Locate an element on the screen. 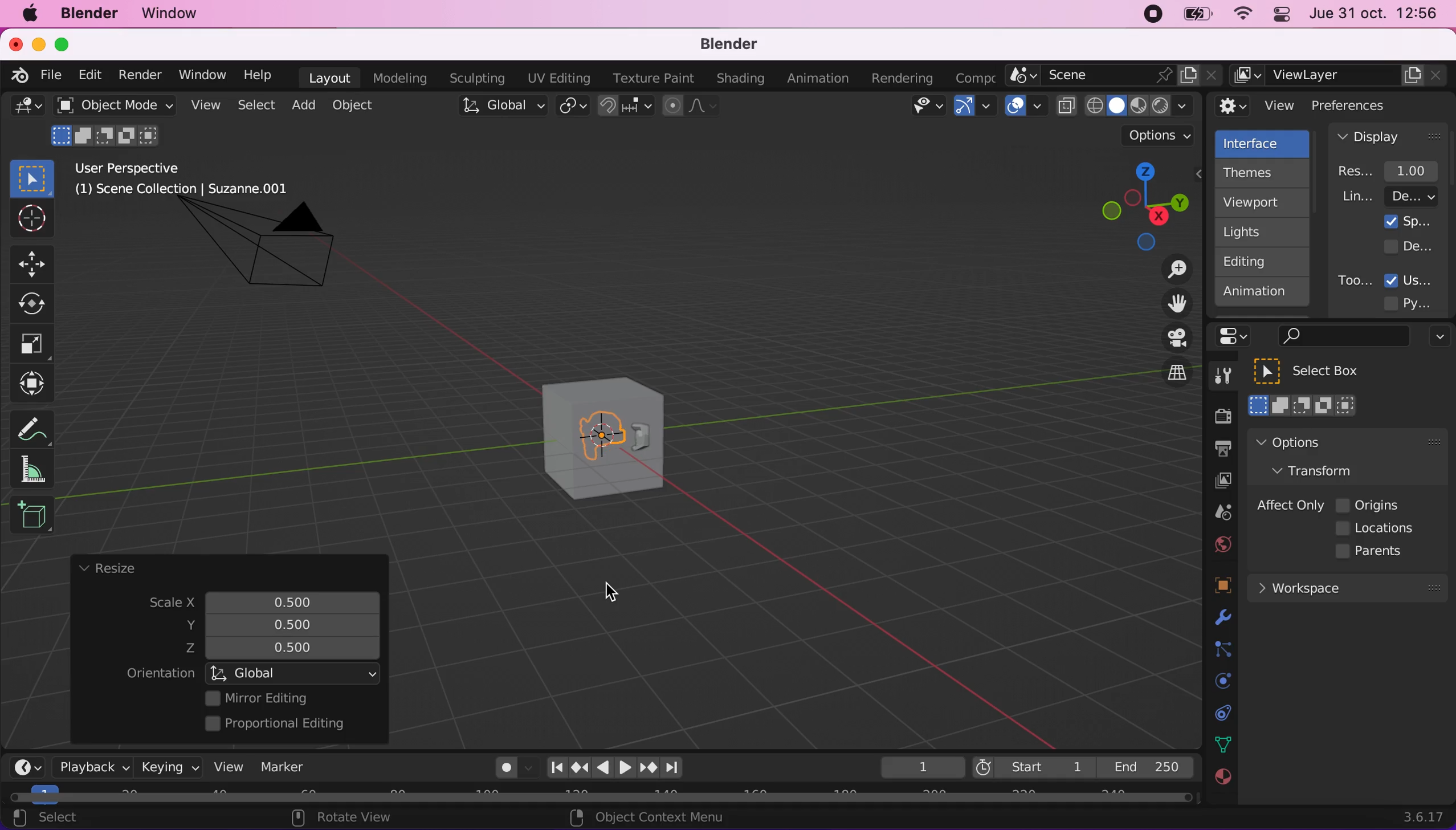  data is located at coordinates (1220, 743).